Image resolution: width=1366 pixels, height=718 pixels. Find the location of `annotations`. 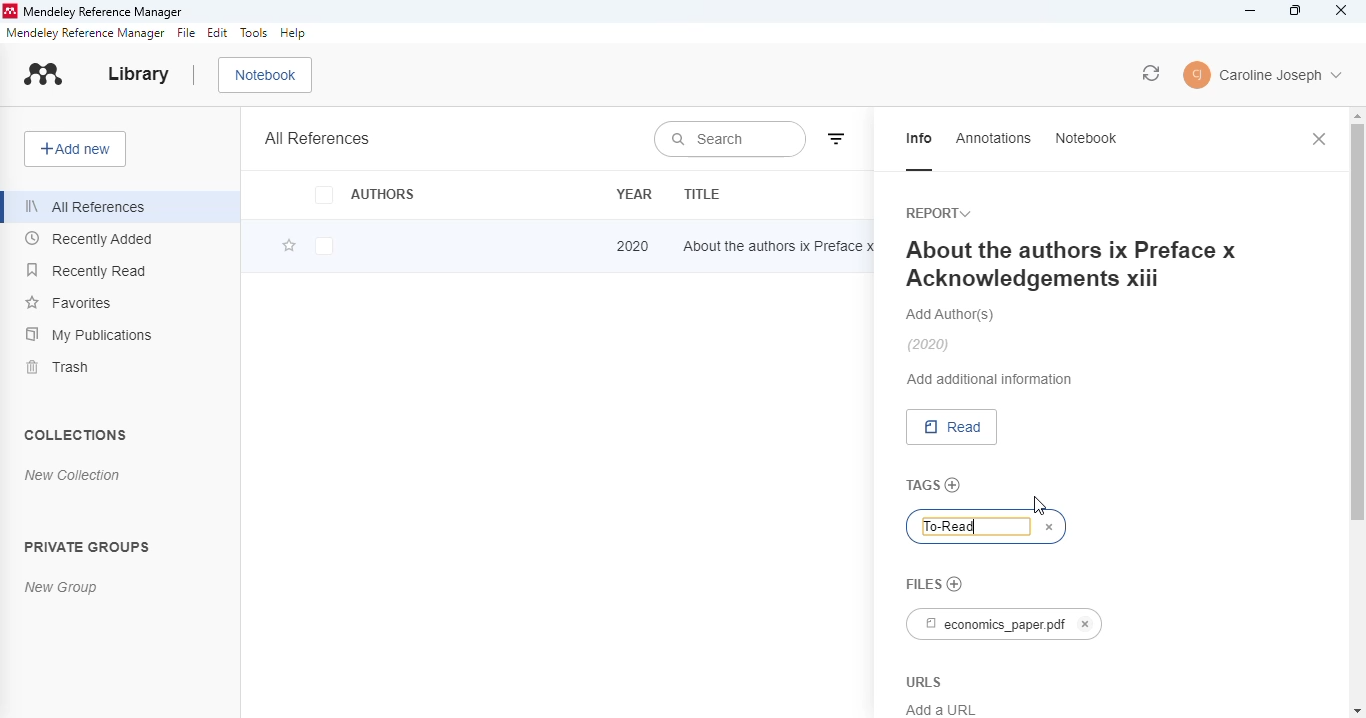

annotations is located at coordinates (993, 137).